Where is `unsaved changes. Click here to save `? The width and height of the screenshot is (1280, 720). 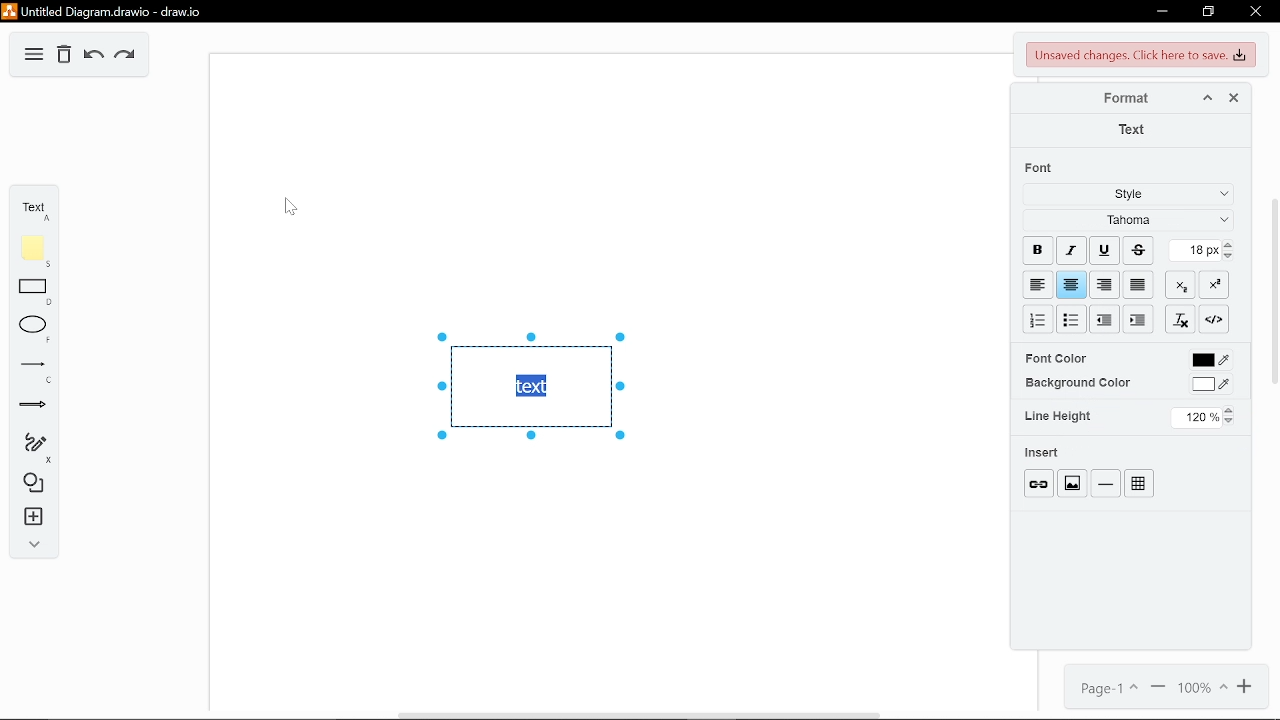 unsaved changes. Click here to save  is located at coordinates (1138, 55).